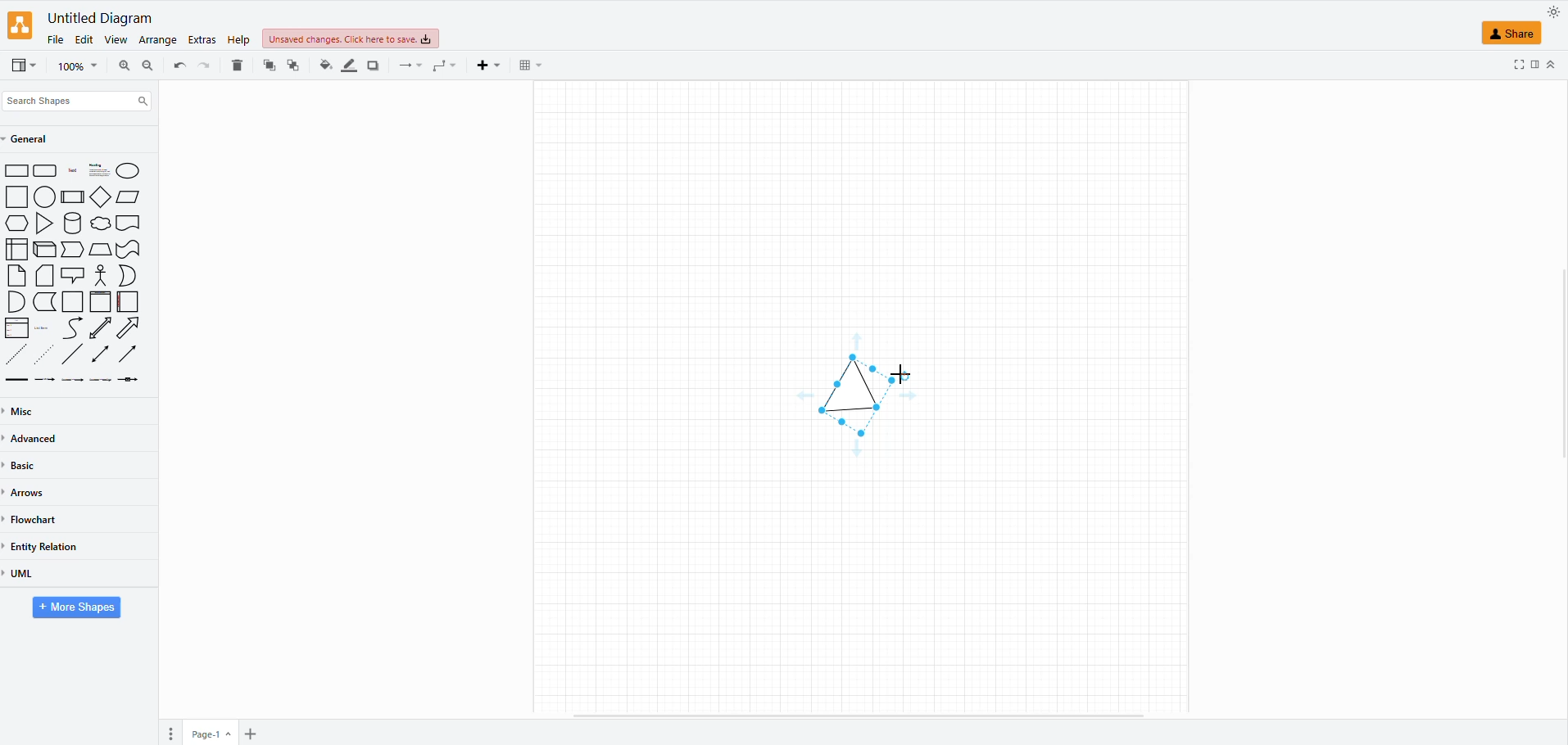 Image resolution: width=1568 pixels, height=745 pixels. I want to click on appearance, so click(1552, 12).